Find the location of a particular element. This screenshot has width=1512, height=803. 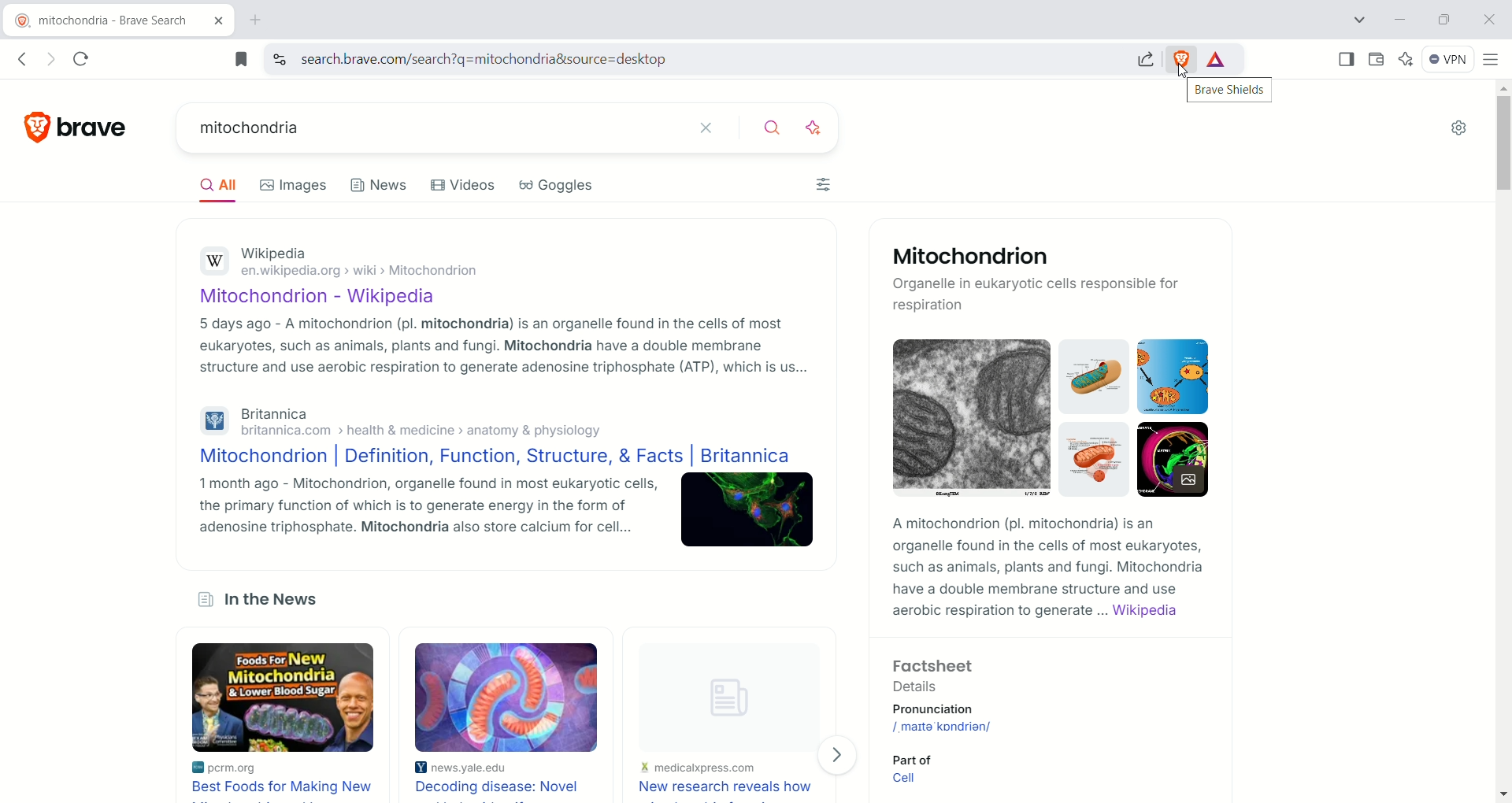

aerobic respiration to generate... is located at coordinates (1000, 612).